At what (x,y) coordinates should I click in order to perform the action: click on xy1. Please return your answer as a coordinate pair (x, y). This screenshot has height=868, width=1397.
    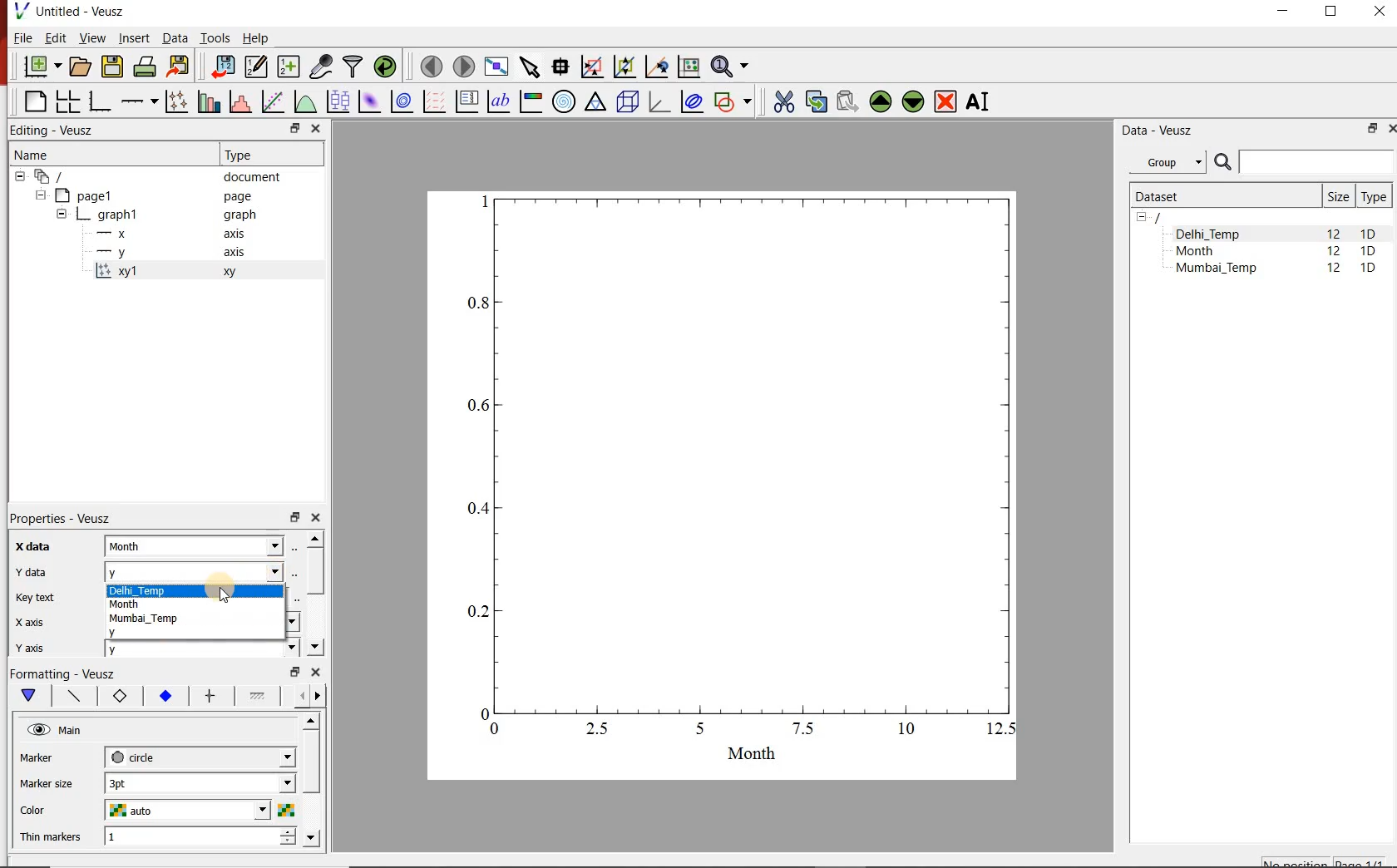
    Looking at the image, I should click on (174, 272).